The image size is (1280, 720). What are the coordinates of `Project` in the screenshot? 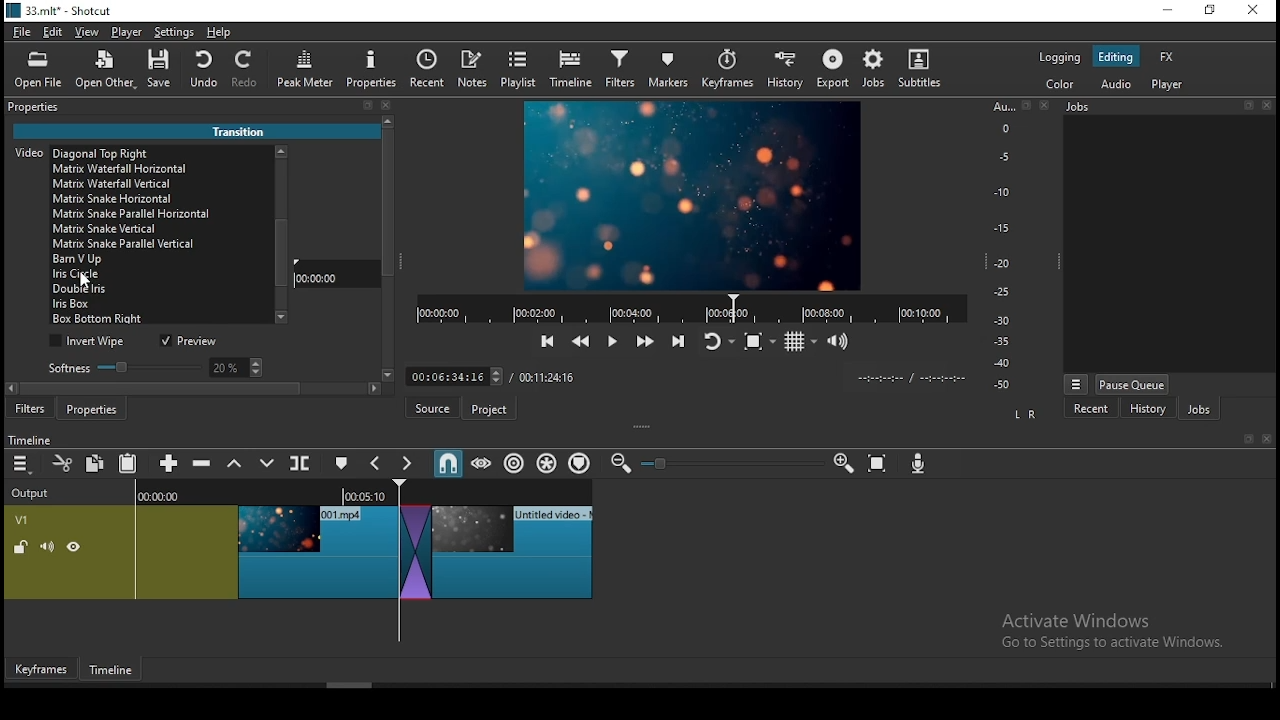 It's located at (492, 409).